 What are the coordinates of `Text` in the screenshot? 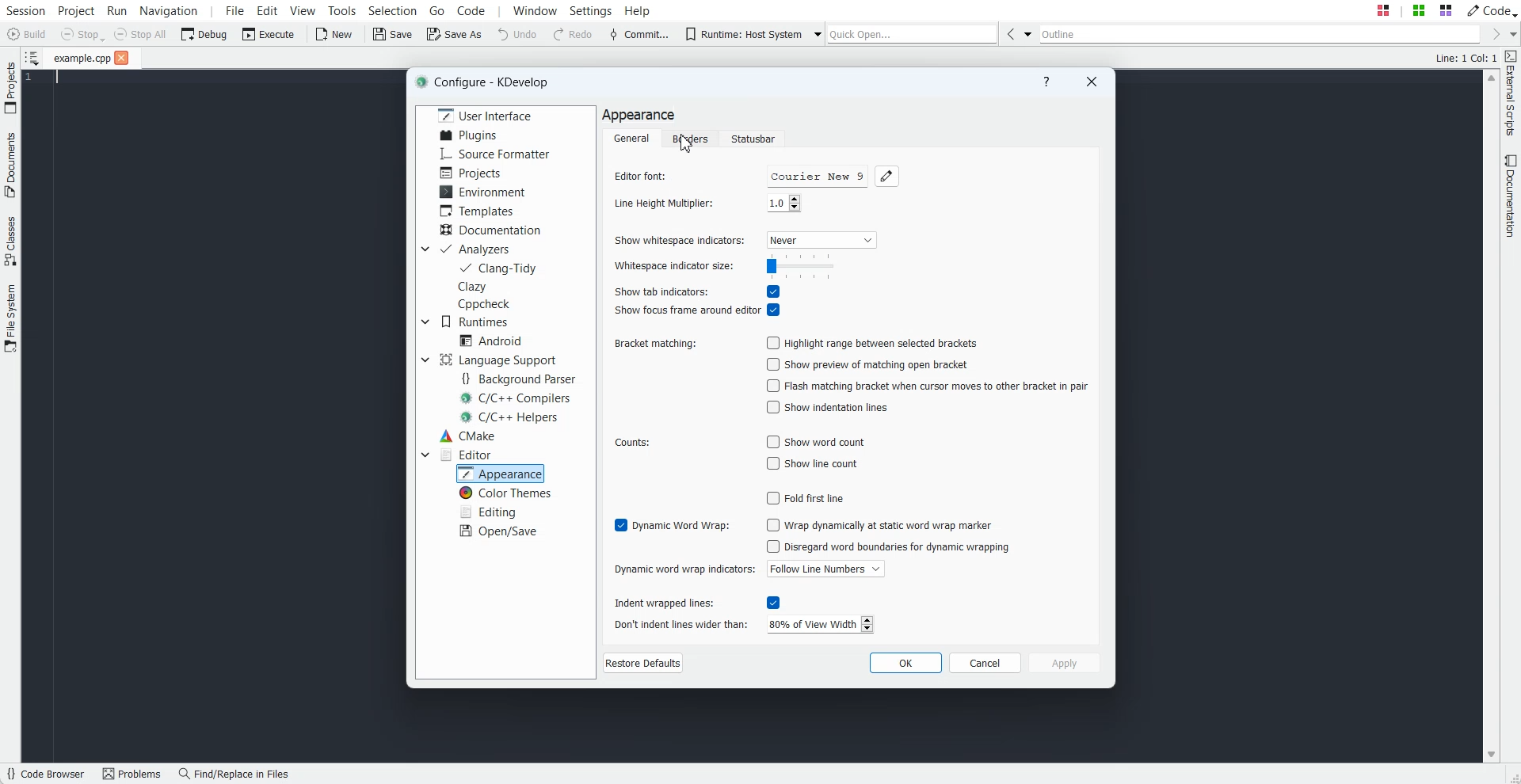 It's located at (1466, 57).